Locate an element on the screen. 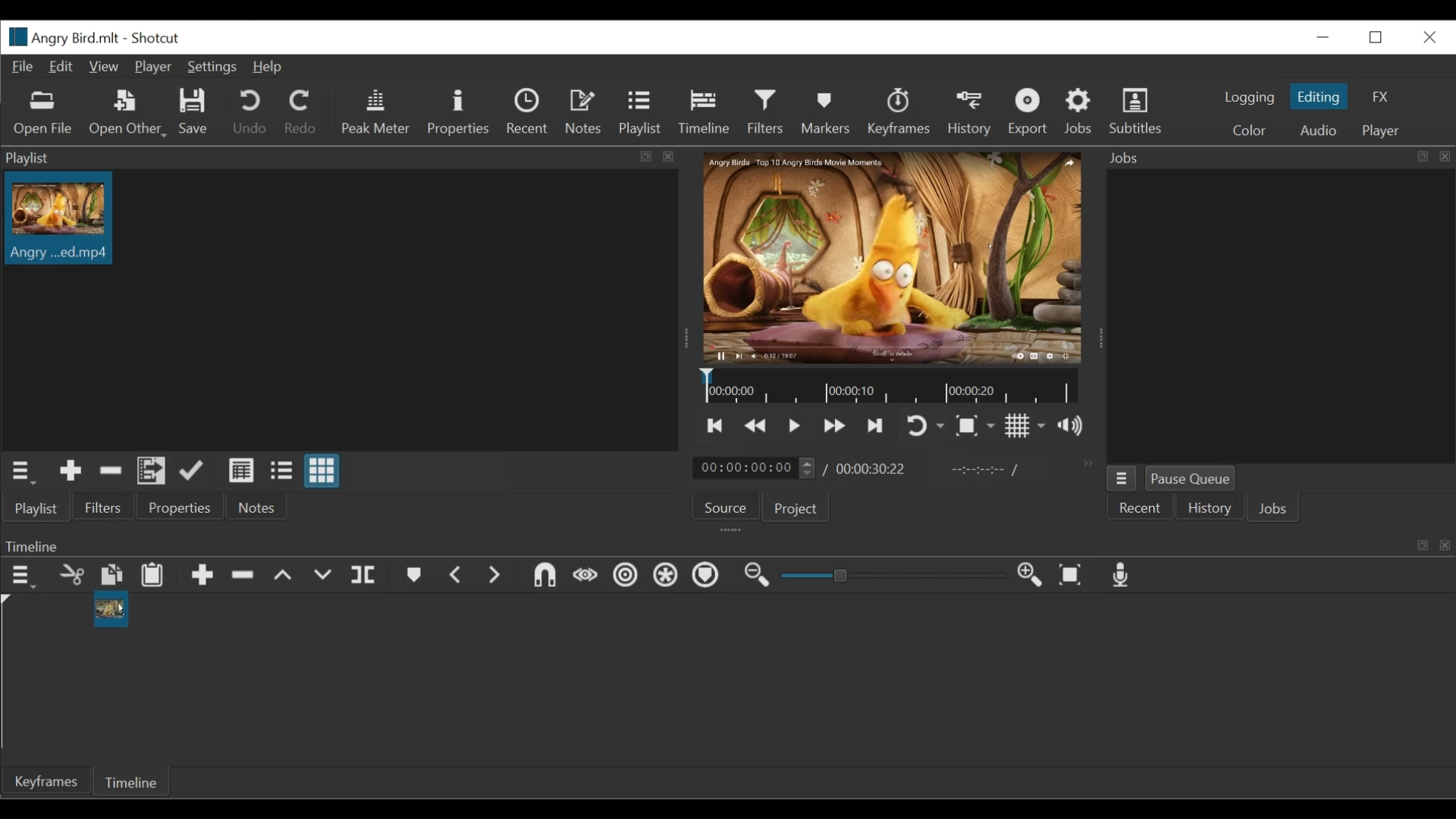 The image size is (1456, 819). Jobs is located at coordinates (1081, 111).